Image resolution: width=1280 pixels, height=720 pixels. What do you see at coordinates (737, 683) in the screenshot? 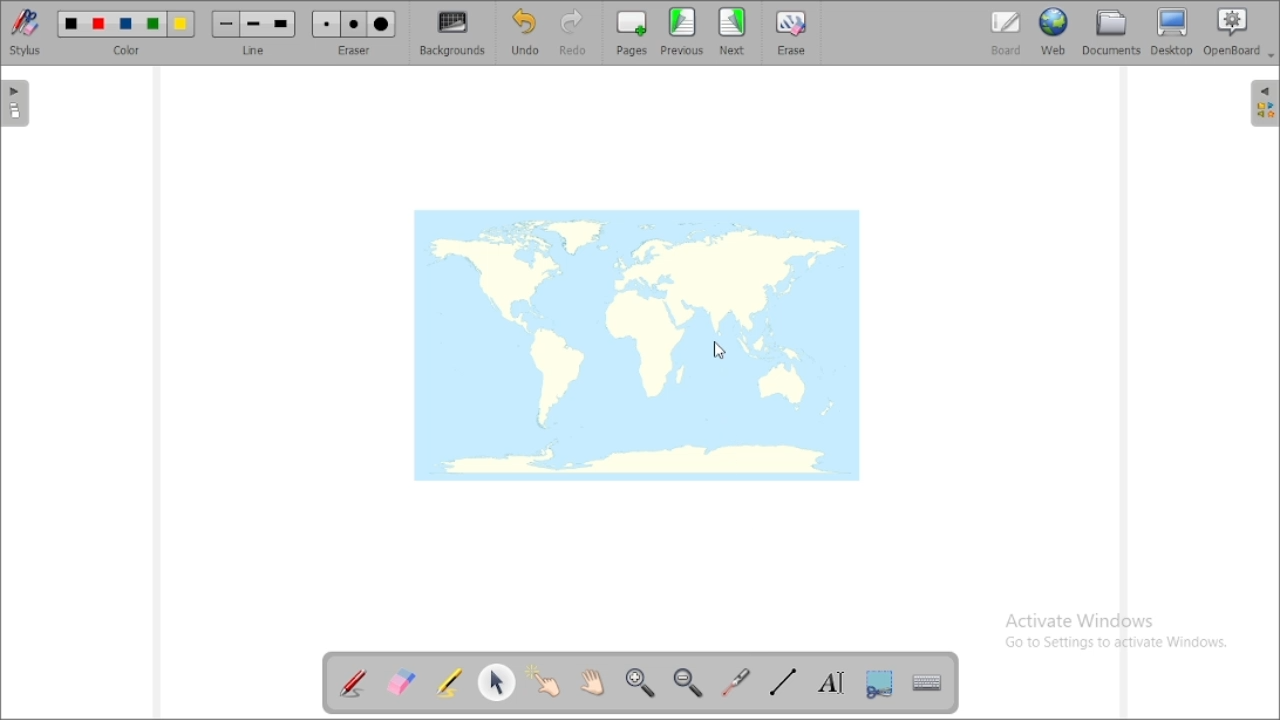
I see `virtual laser pointer` at bounding box center [737, 683].